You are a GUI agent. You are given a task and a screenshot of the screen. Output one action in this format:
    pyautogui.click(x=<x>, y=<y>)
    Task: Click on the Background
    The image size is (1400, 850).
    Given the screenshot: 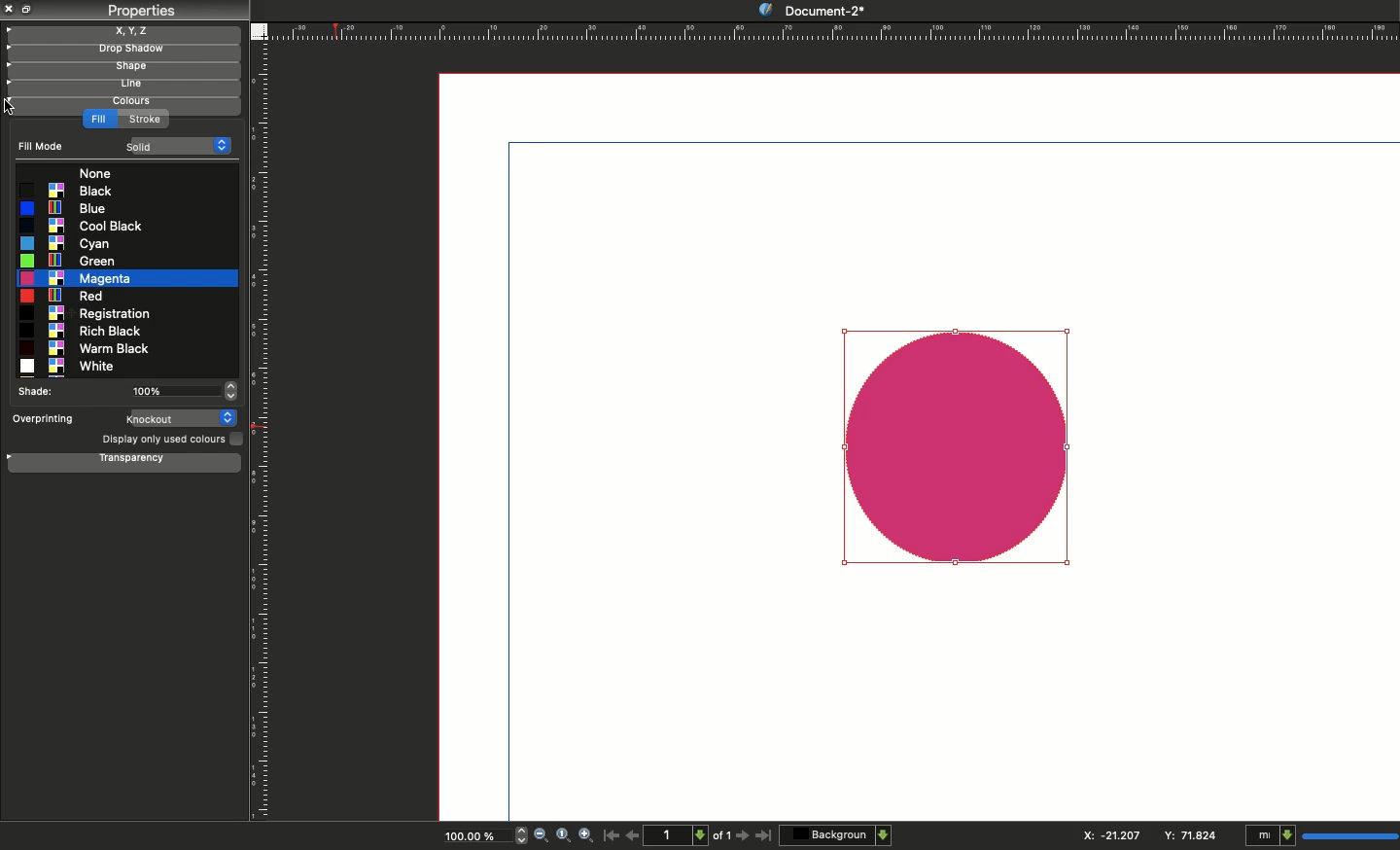 What is the action you would take?
    pyautogui.click(x=837, y=834)
    